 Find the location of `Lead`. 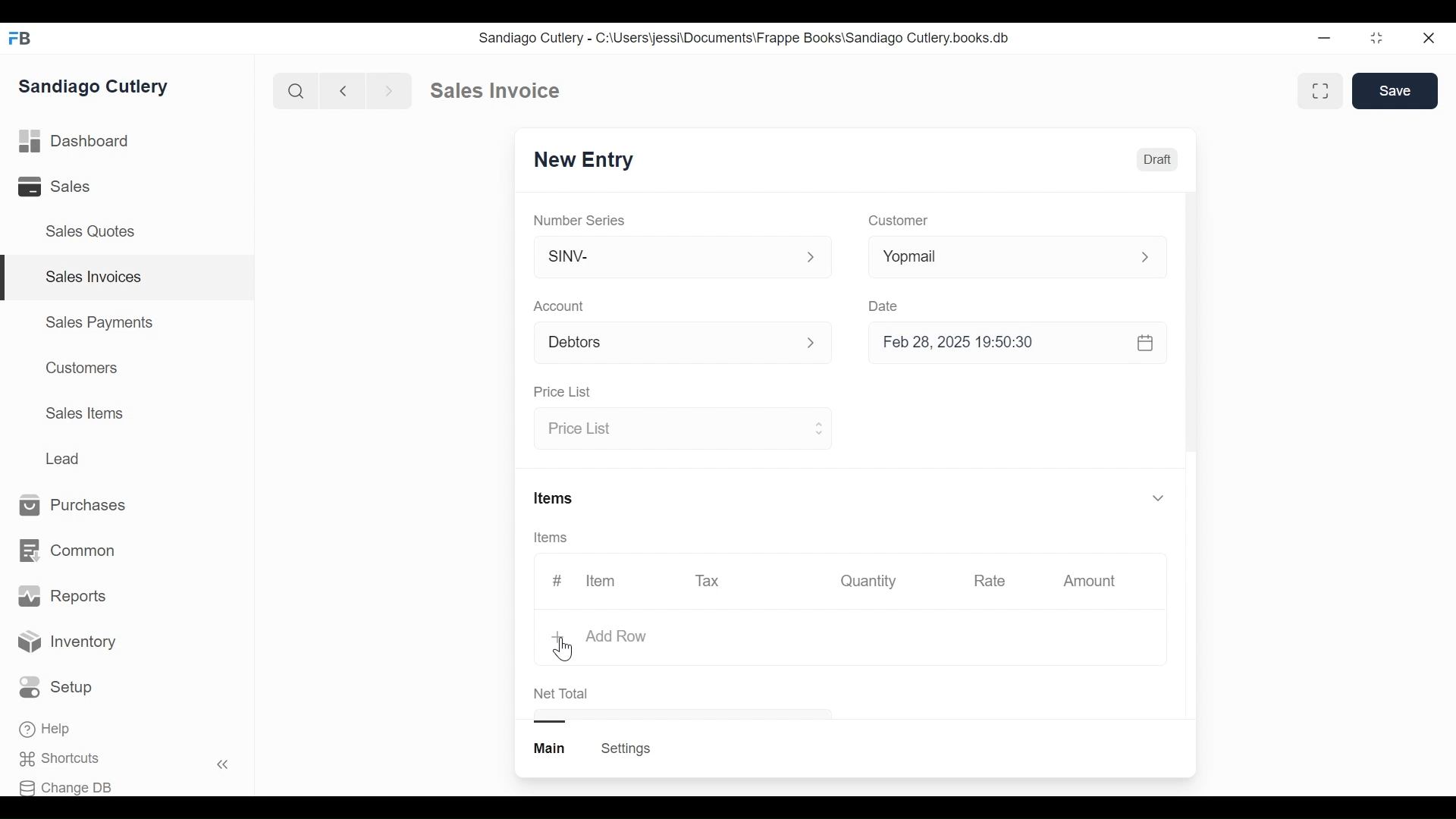

Lead is located at coordinates (64, 457).